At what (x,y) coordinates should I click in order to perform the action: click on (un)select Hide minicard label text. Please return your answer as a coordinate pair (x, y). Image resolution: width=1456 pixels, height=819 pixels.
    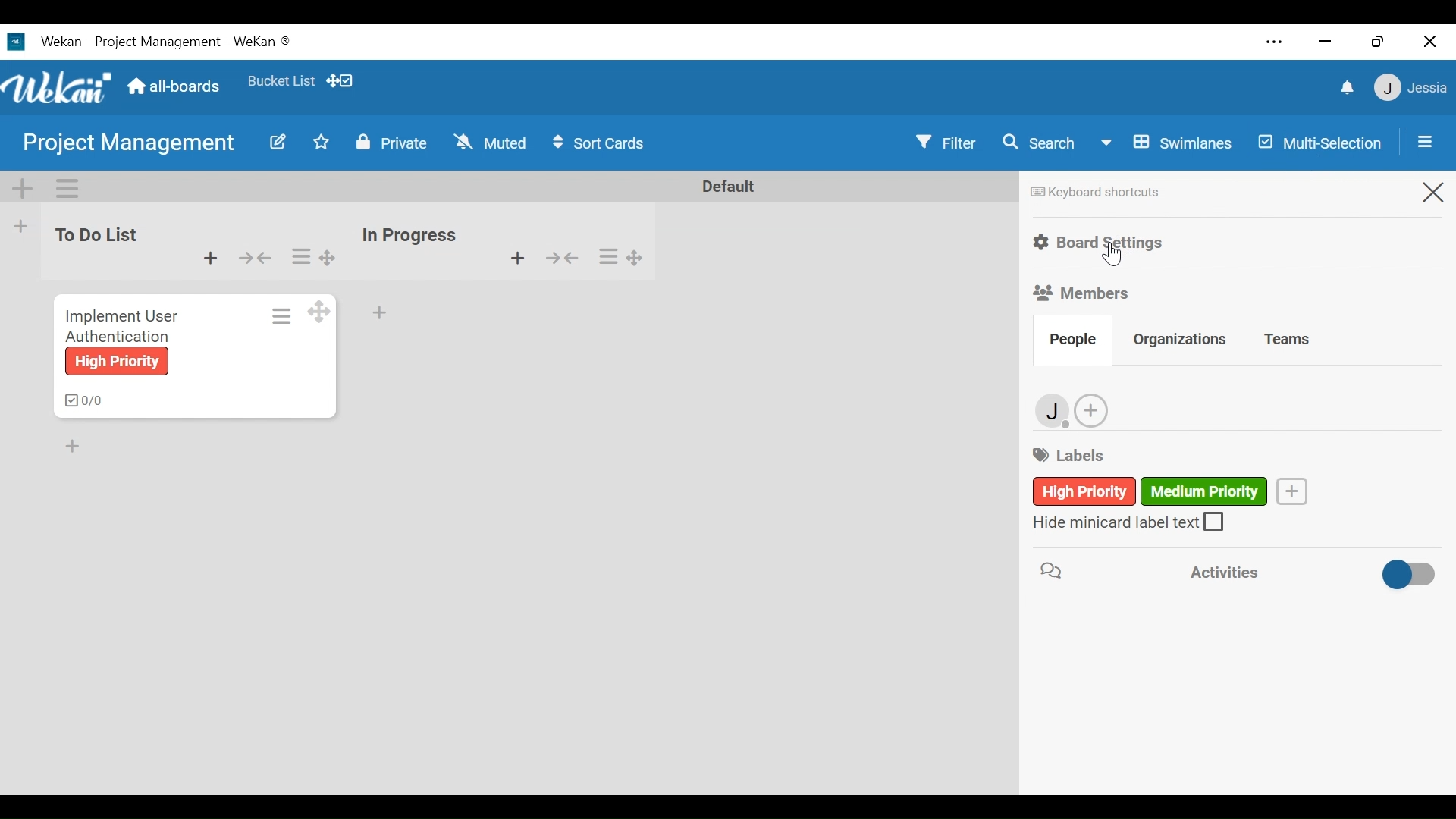
    Looking at the image, I should click on (1131, 522).